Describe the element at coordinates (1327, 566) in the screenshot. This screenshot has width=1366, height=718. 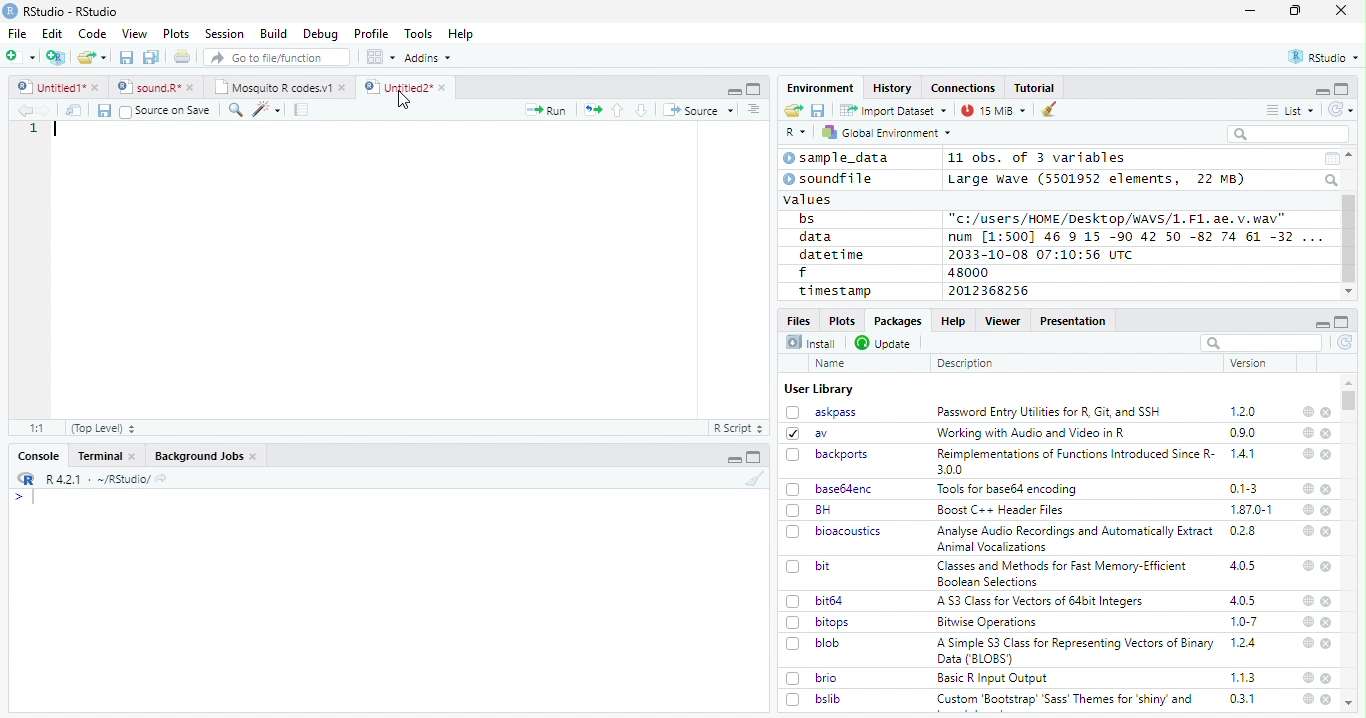
I see `close` at that location.